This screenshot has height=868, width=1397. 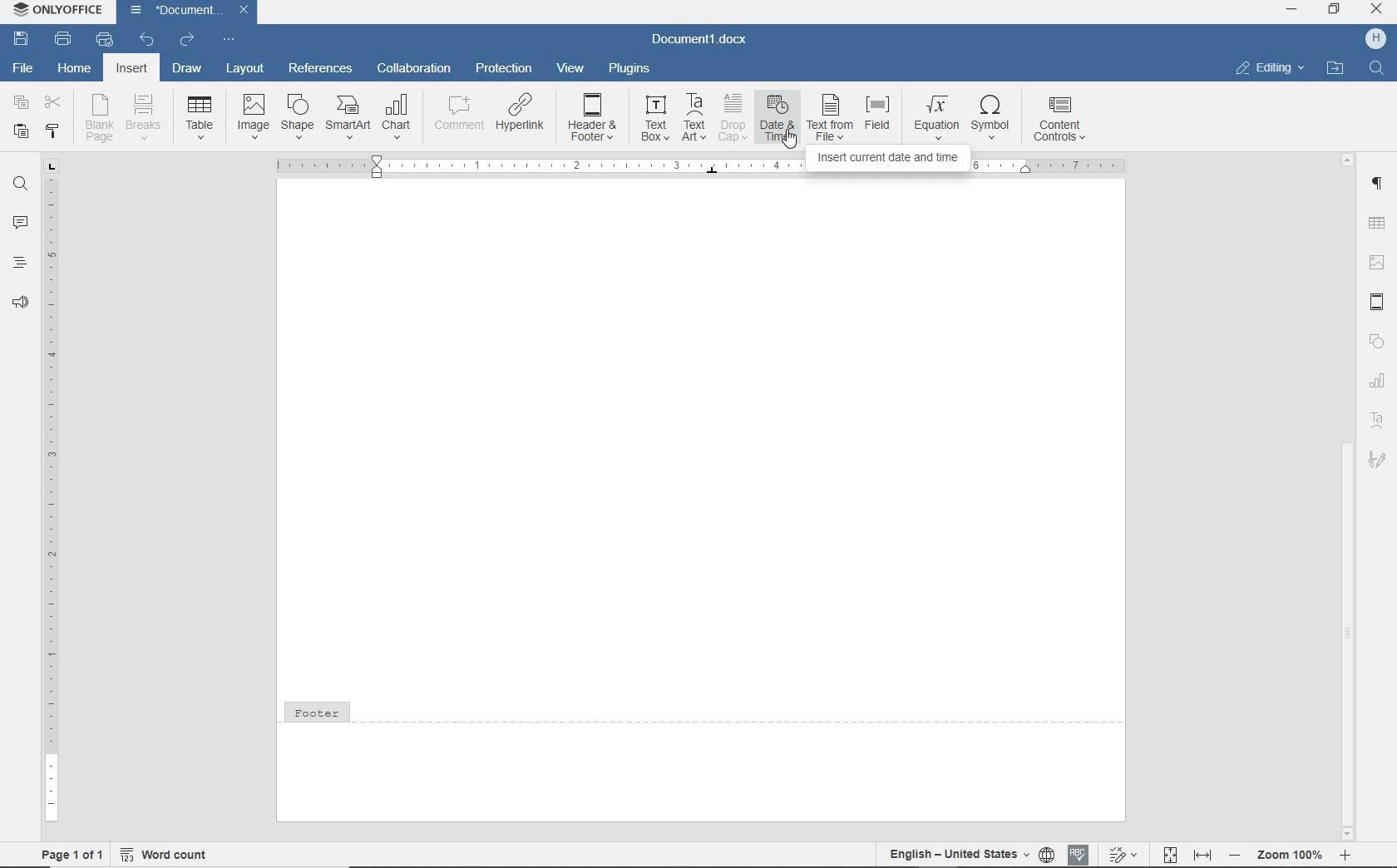 What do you see at coordinates (166, 856) in the screenshot?
I see `Word count` at bounding box center [166, 856].